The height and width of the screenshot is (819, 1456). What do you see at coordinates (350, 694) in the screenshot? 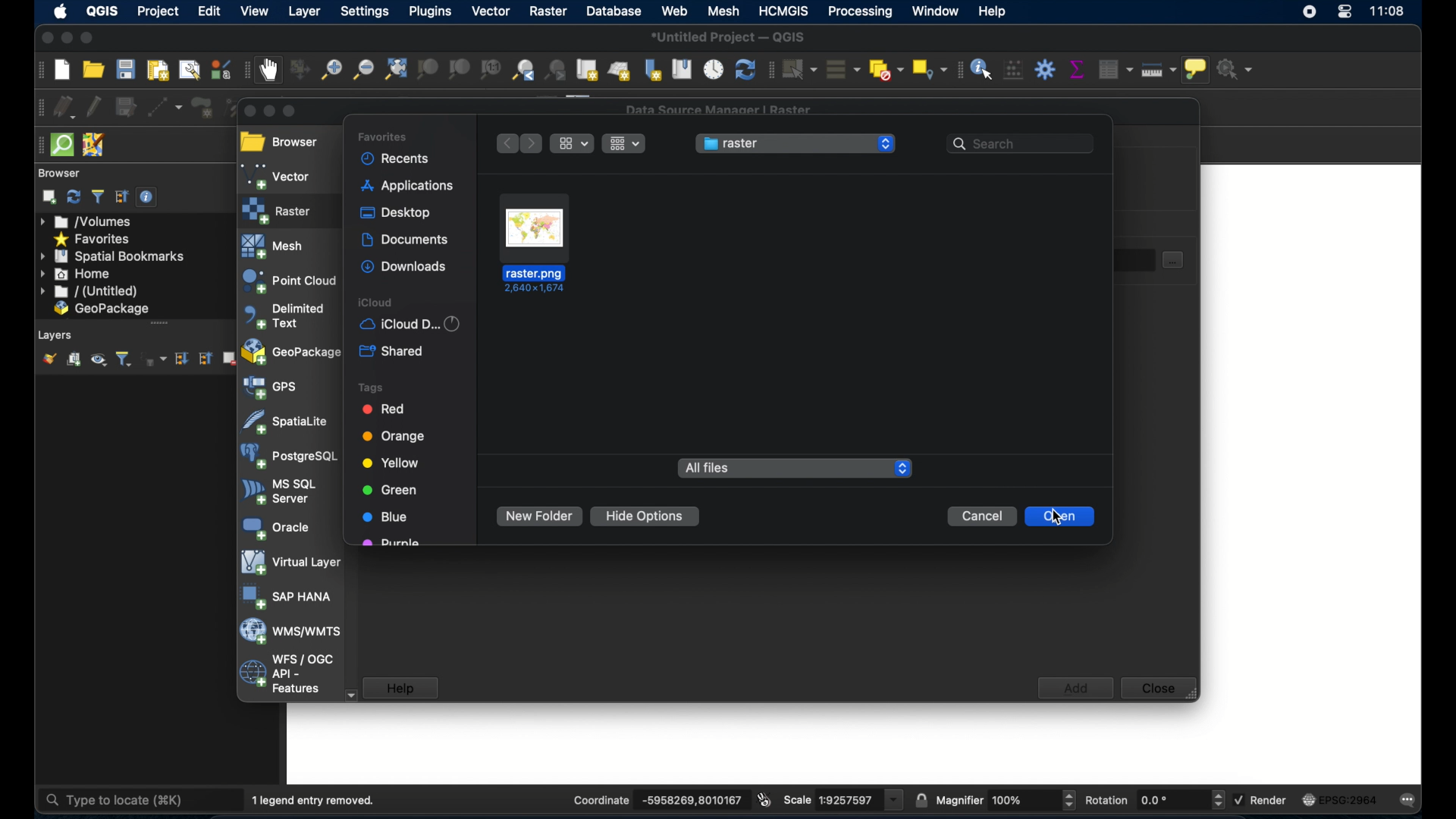
I see `scroll down arrow` at bounding box center [350, 694].